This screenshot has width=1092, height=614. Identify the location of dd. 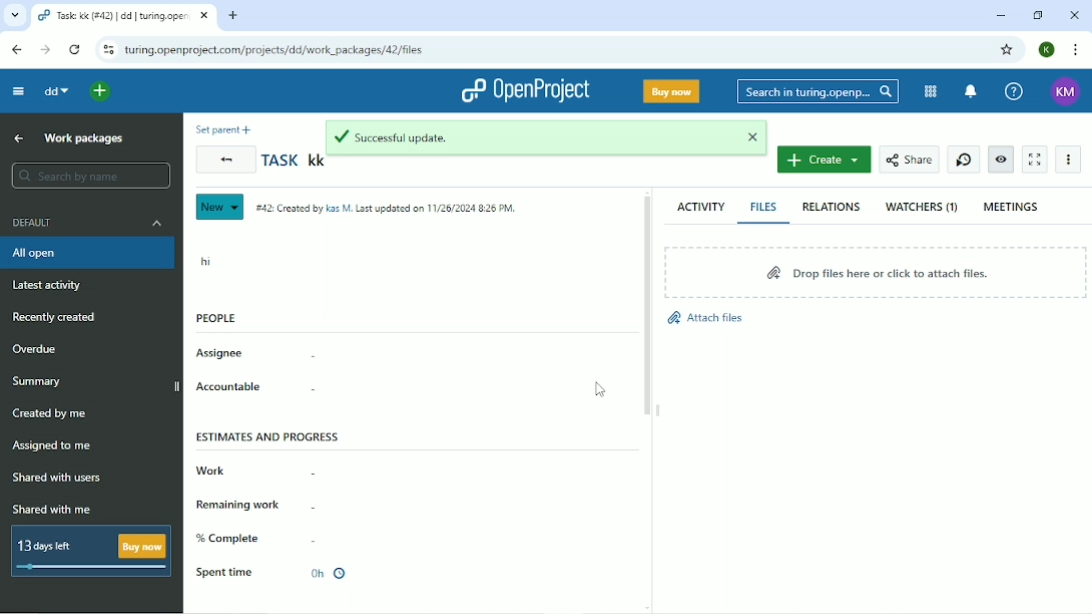
(58, 91).